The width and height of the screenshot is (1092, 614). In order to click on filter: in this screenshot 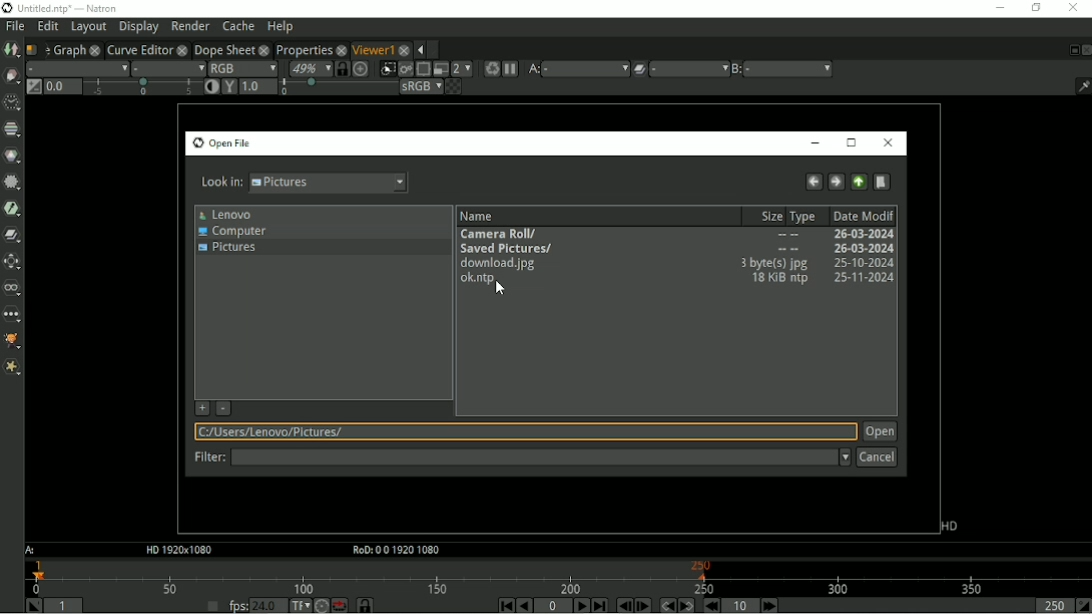, I will do `click(205, 459)`.